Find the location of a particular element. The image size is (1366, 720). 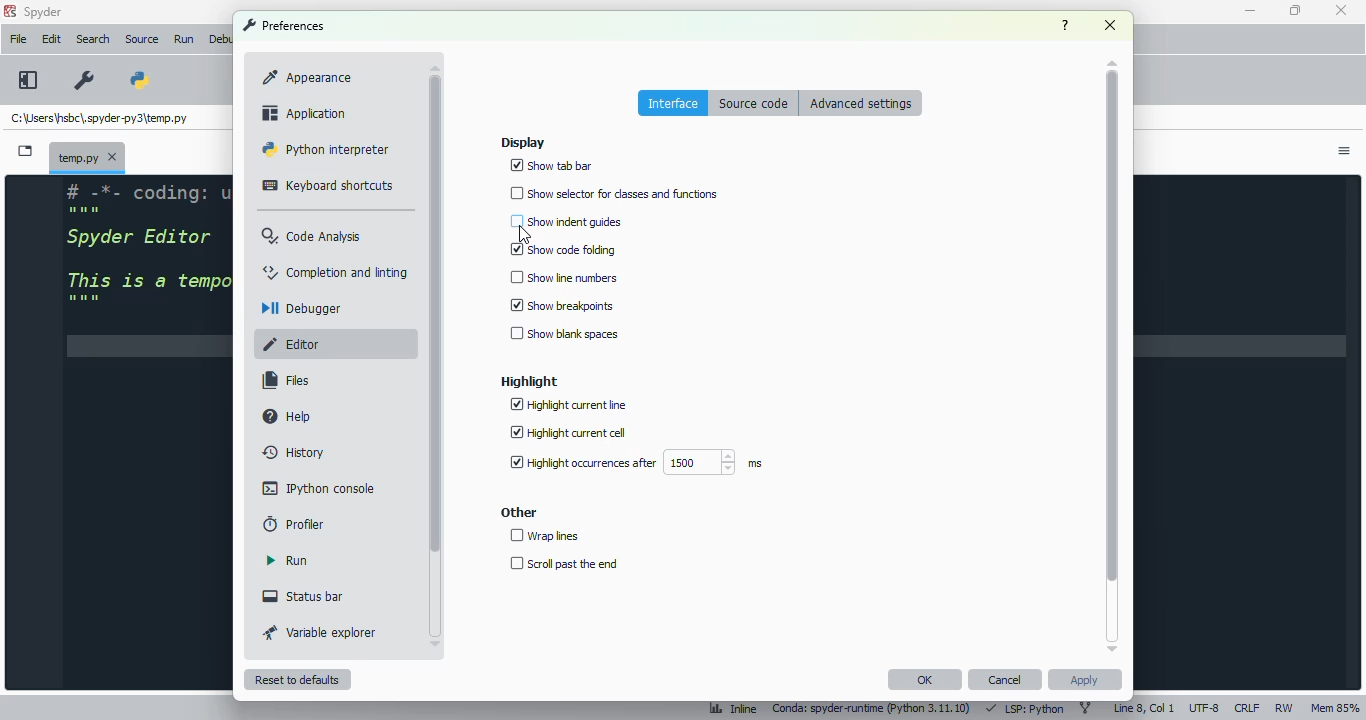

cursor is located at coordinates (523, 235).